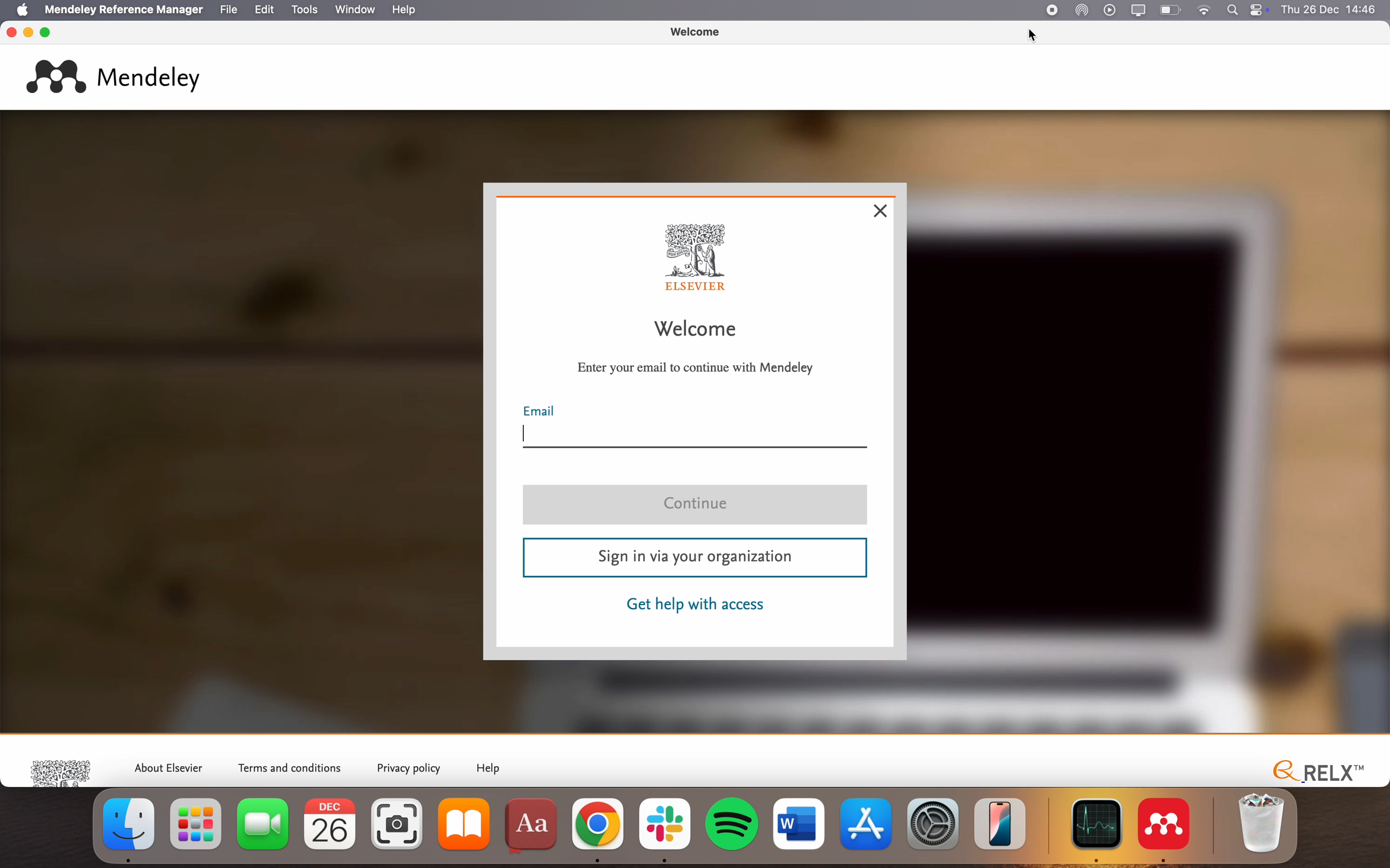 Image resolution: width=1390 pixels, height=868 pixels. What do you see at coordinates (598, 830) in the screenshot?
I see `Google Chrome` at bounding box center [598, 830].